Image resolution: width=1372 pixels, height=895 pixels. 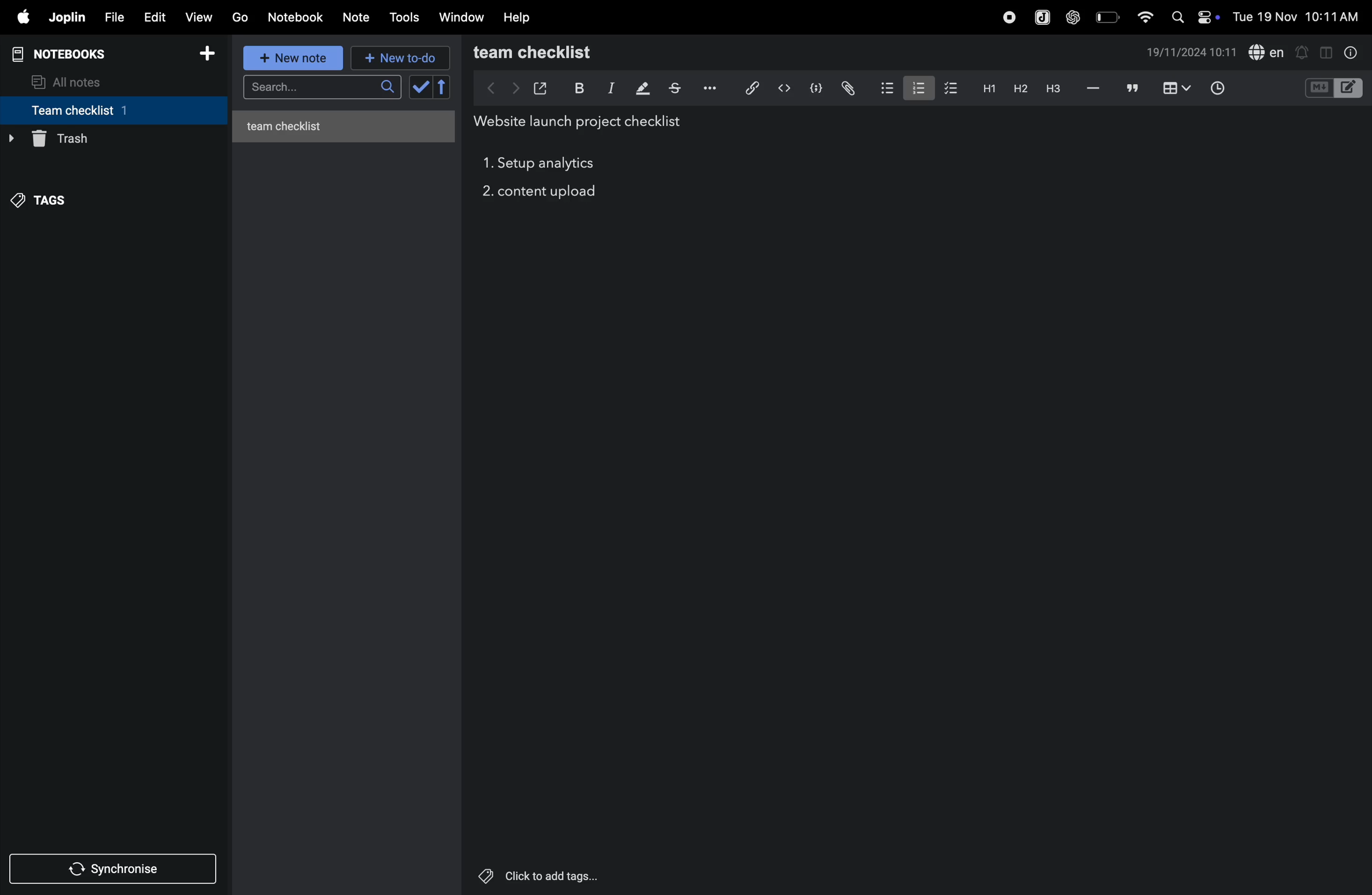 I want to click on open window, so click(x=541, y=86).